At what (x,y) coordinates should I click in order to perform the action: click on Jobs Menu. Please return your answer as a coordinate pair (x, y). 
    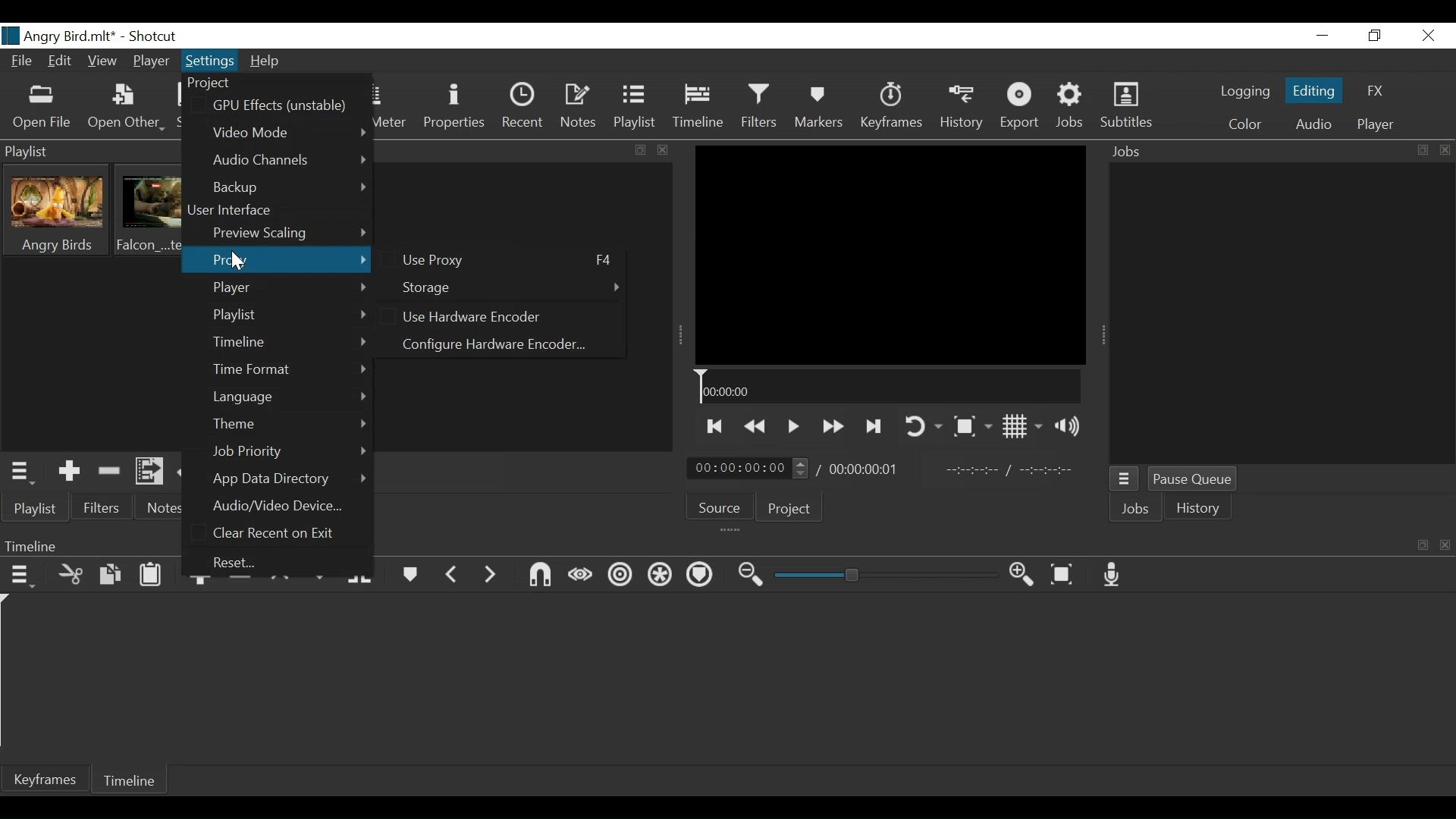
    Looking at the image, I should click on (1123, 479).